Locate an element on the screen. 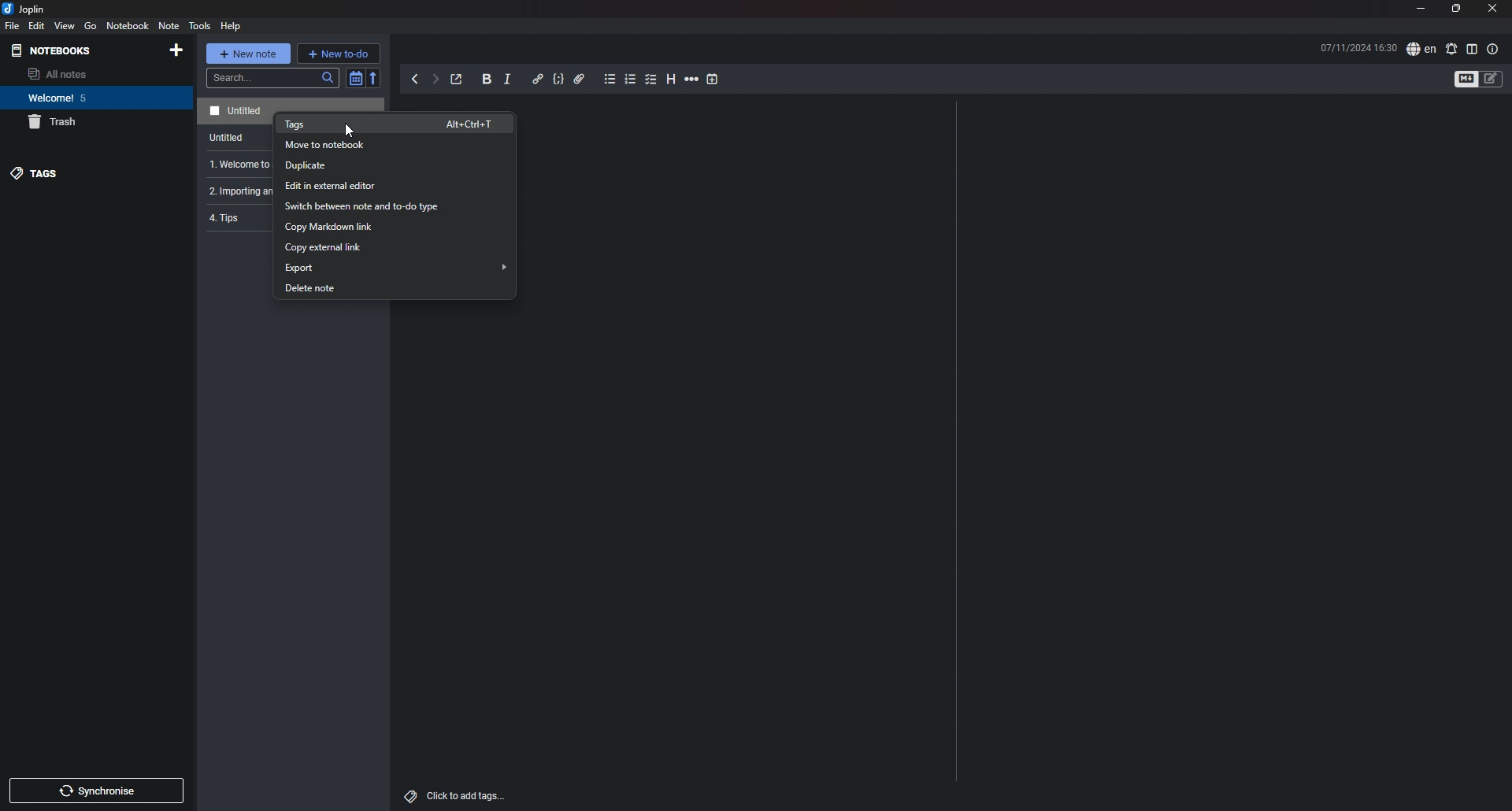 Image resolution: width=1512 pixels, height=811 pixels. toggle sort order is located at coordinates (355, 79).